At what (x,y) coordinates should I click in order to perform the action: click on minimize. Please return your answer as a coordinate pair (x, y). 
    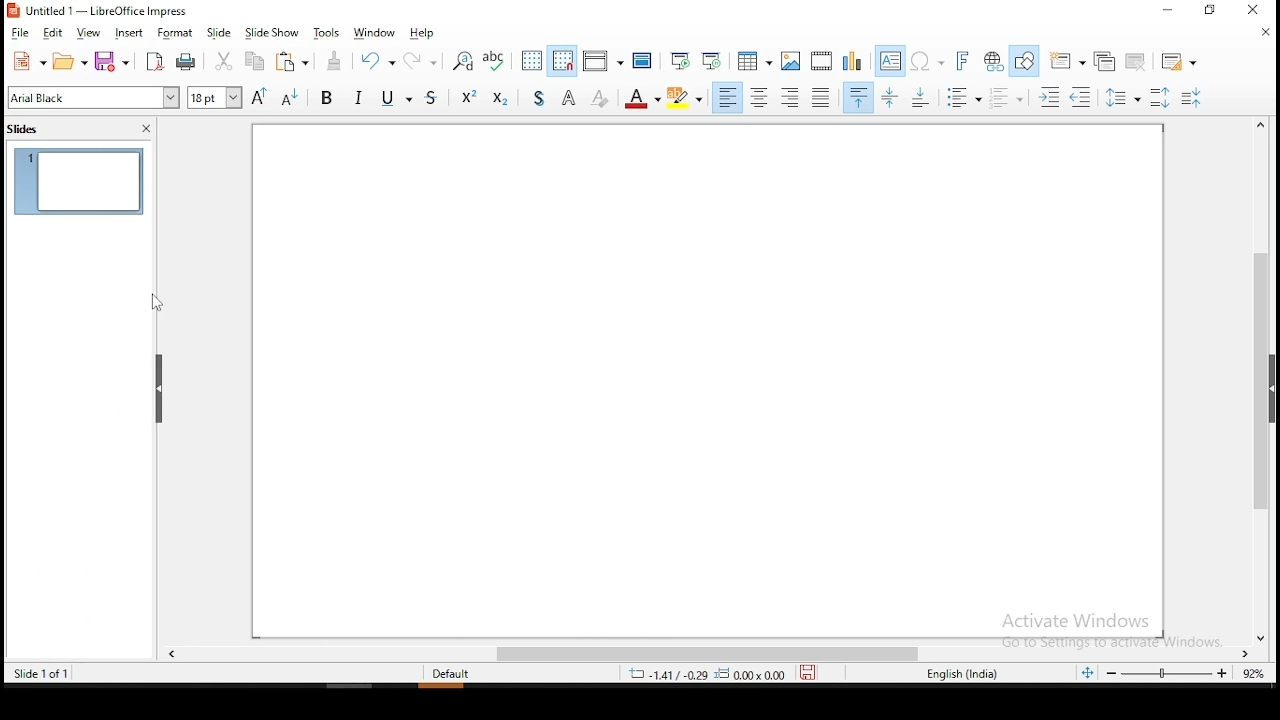
    Looking at the image, I should click on (1167, 11).